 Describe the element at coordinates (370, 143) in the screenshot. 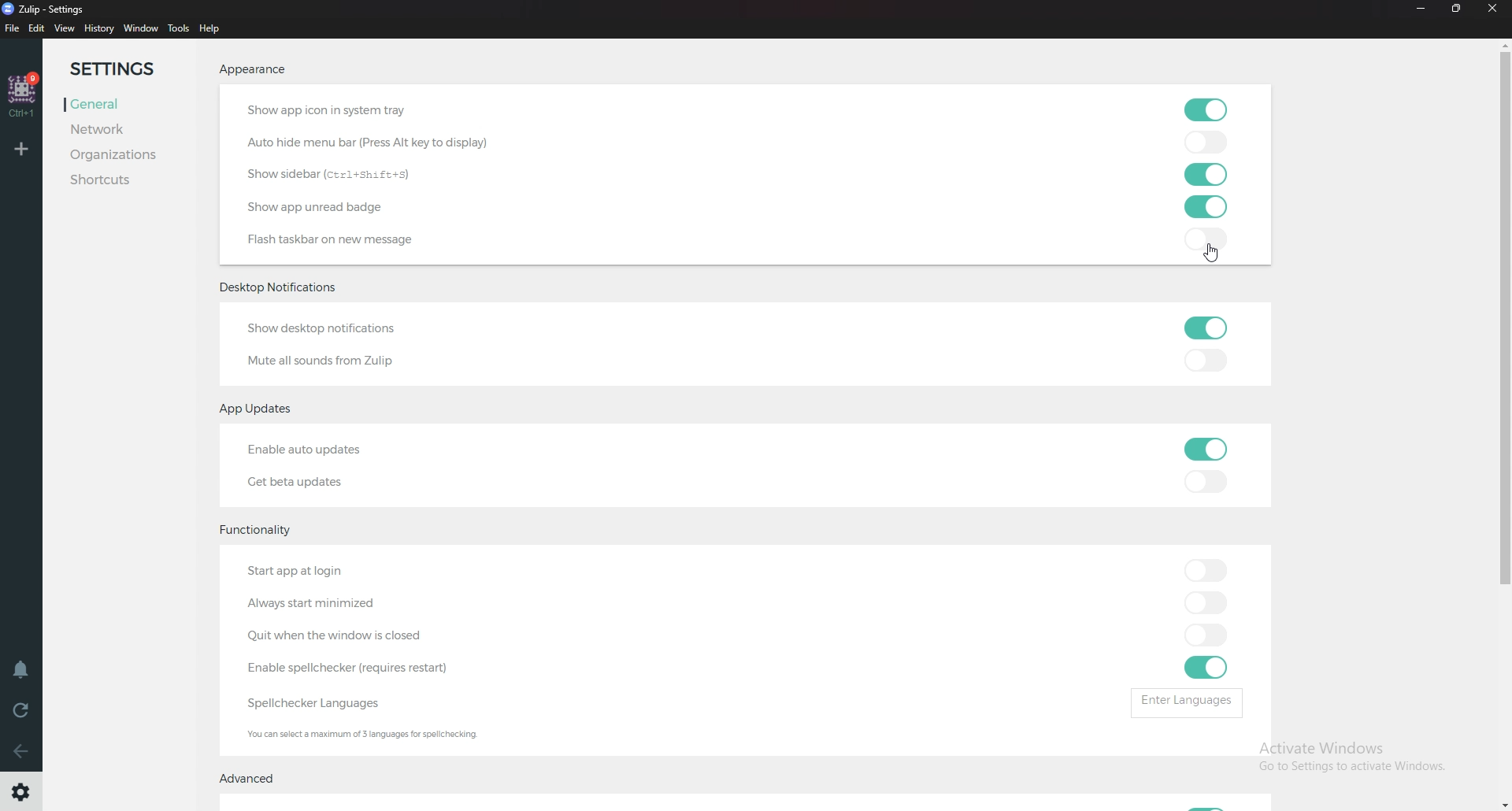

I see `auto hide menu bar` at that location.